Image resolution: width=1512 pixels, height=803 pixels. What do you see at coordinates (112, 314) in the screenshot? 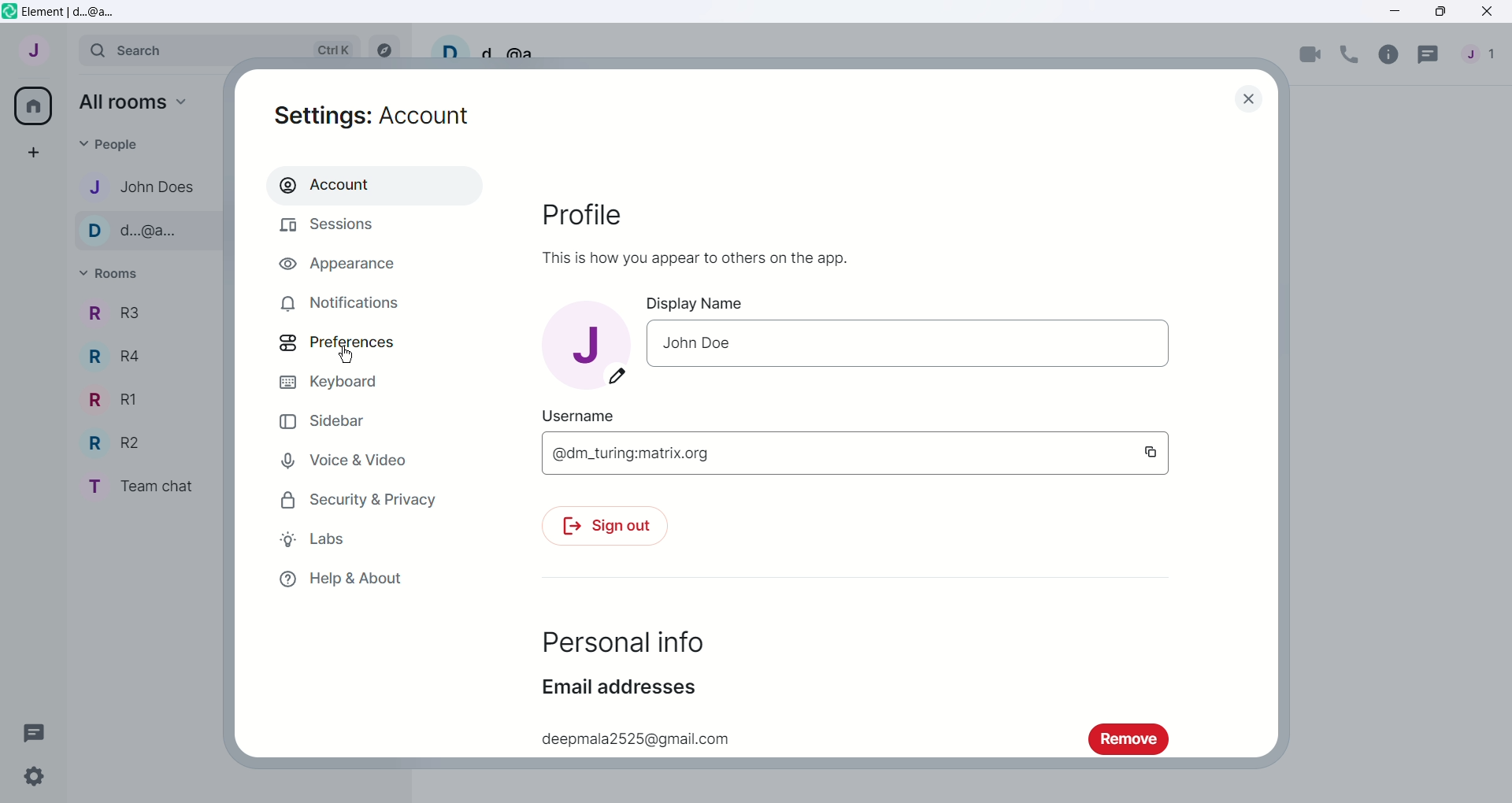
I see `R3 - Room Name` at bounding box center [112, 314].